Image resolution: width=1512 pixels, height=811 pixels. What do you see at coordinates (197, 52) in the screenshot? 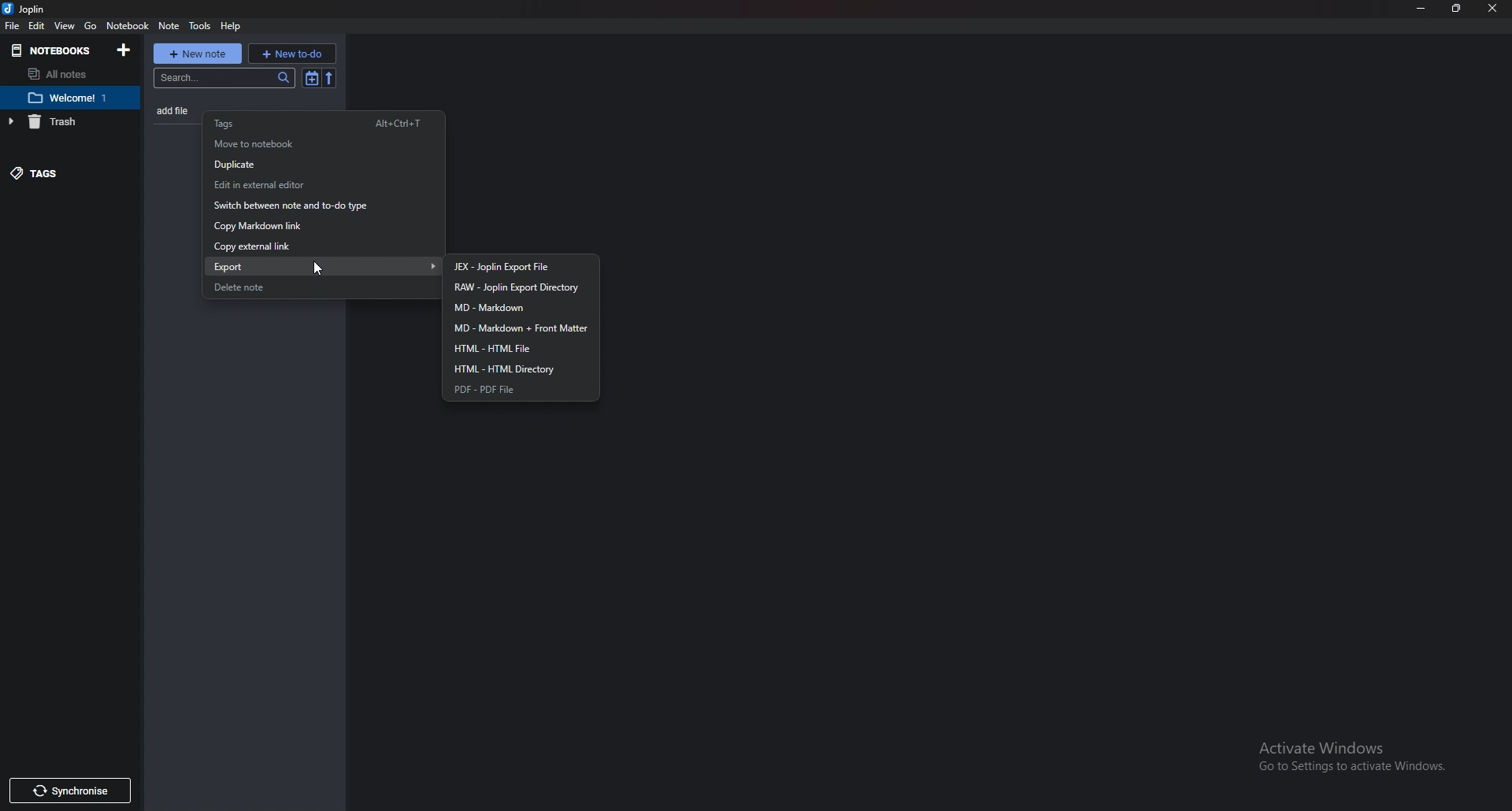
I see `New note` at bounding box center [197, 52].